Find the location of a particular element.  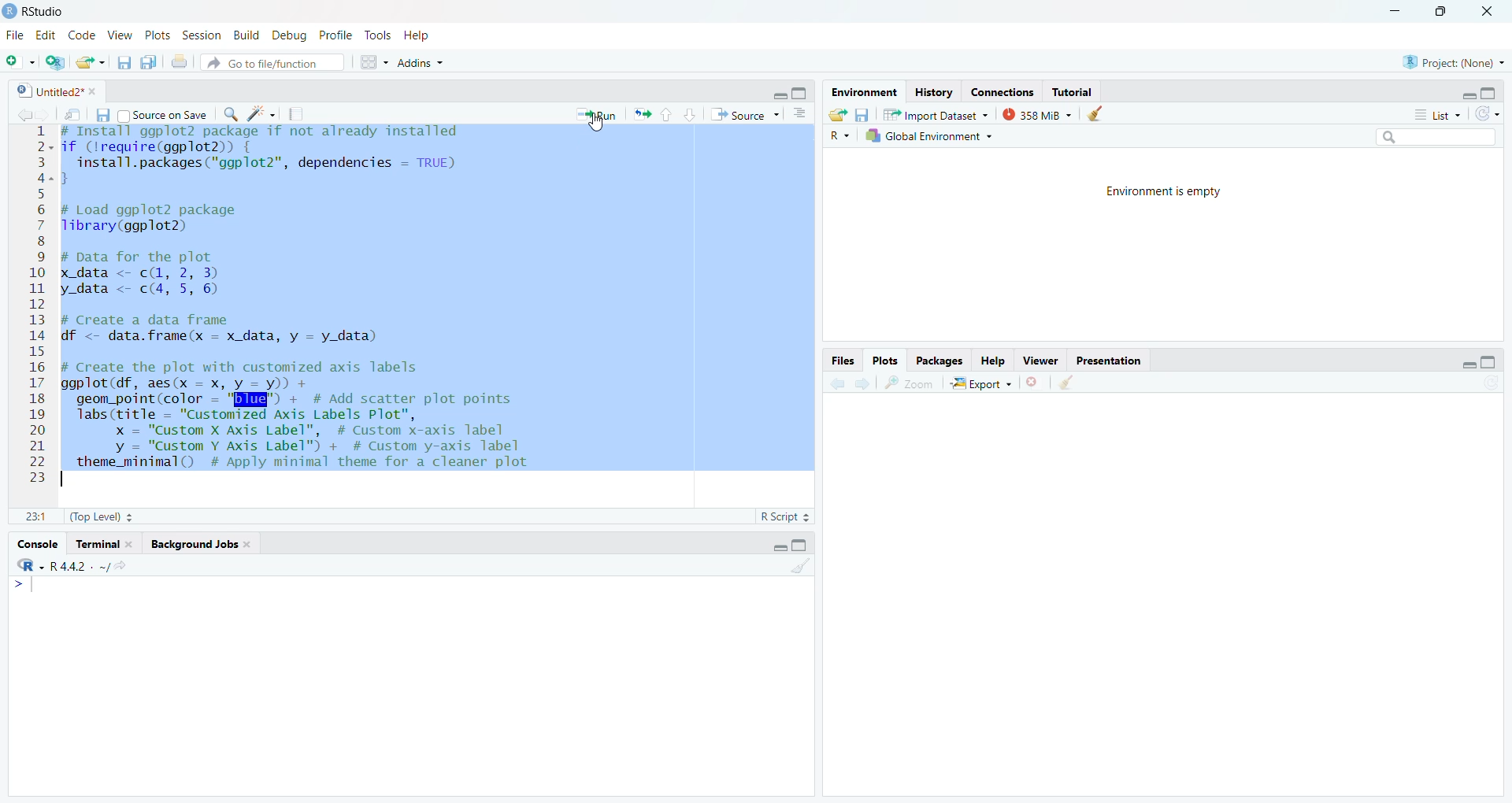

clear is located at coordinates (801, 571).